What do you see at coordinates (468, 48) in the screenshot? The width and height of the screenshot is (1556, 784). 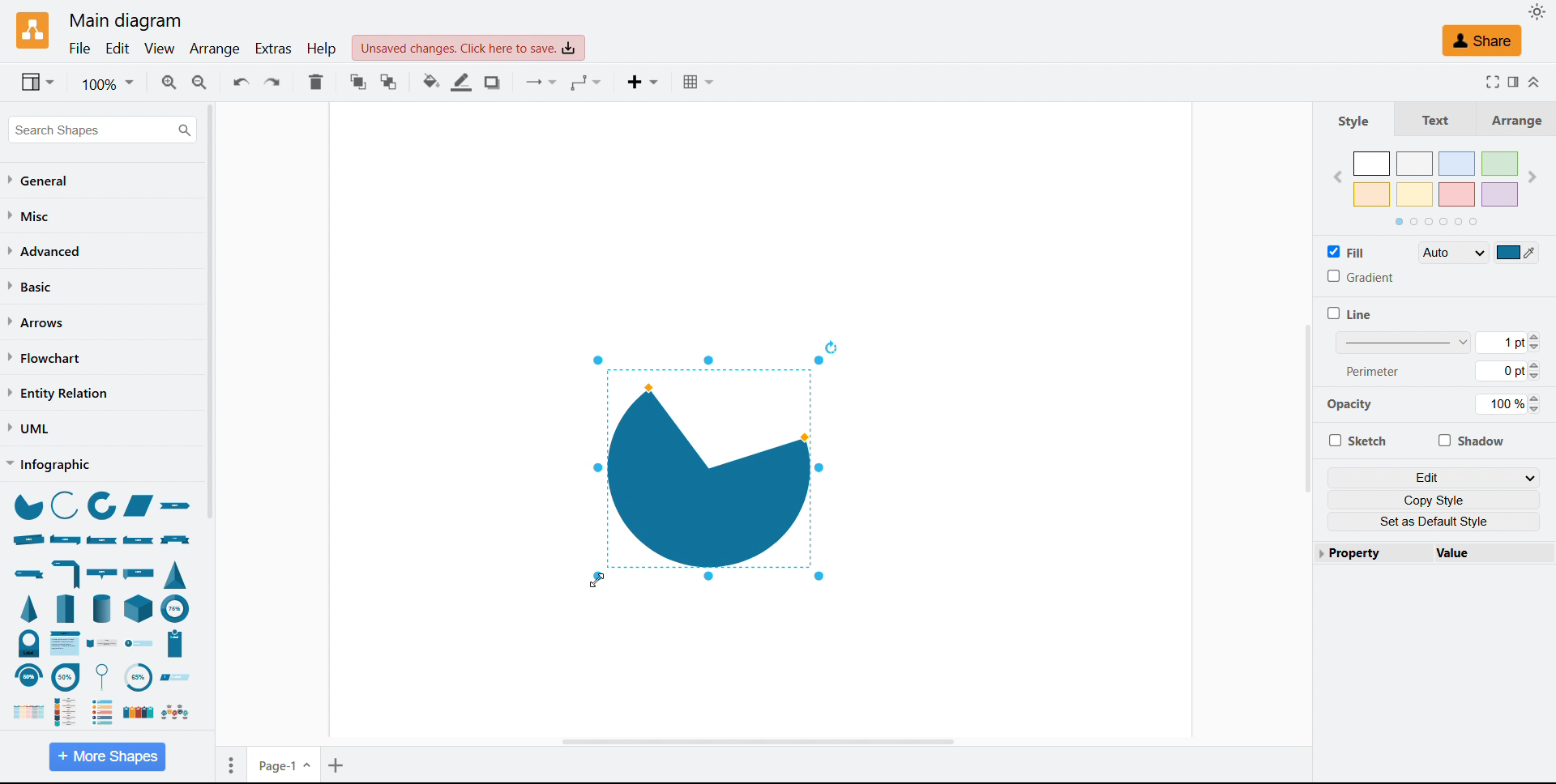 I see `Unsaved change click to save ` at bounding box center [468, 48].